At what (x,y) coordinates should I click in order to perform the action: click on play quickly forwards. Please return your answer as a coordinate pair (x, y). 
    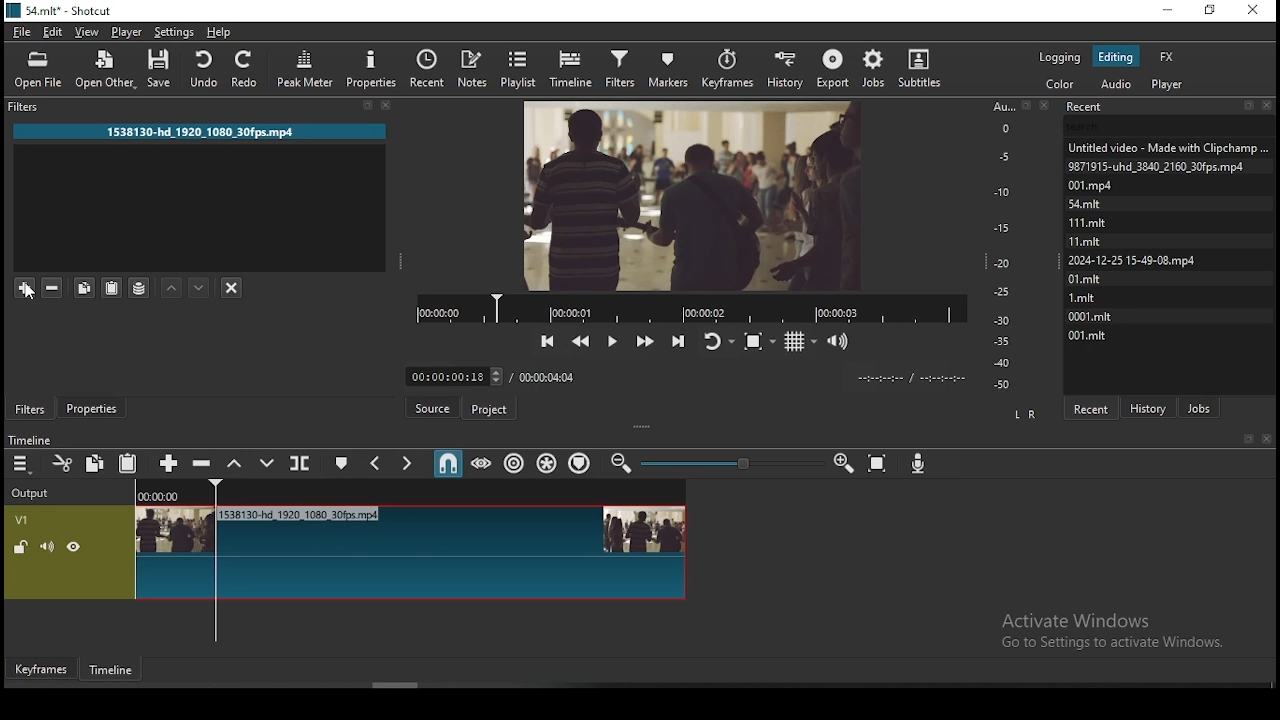
    Looking at the image, I should click on (643, 340).